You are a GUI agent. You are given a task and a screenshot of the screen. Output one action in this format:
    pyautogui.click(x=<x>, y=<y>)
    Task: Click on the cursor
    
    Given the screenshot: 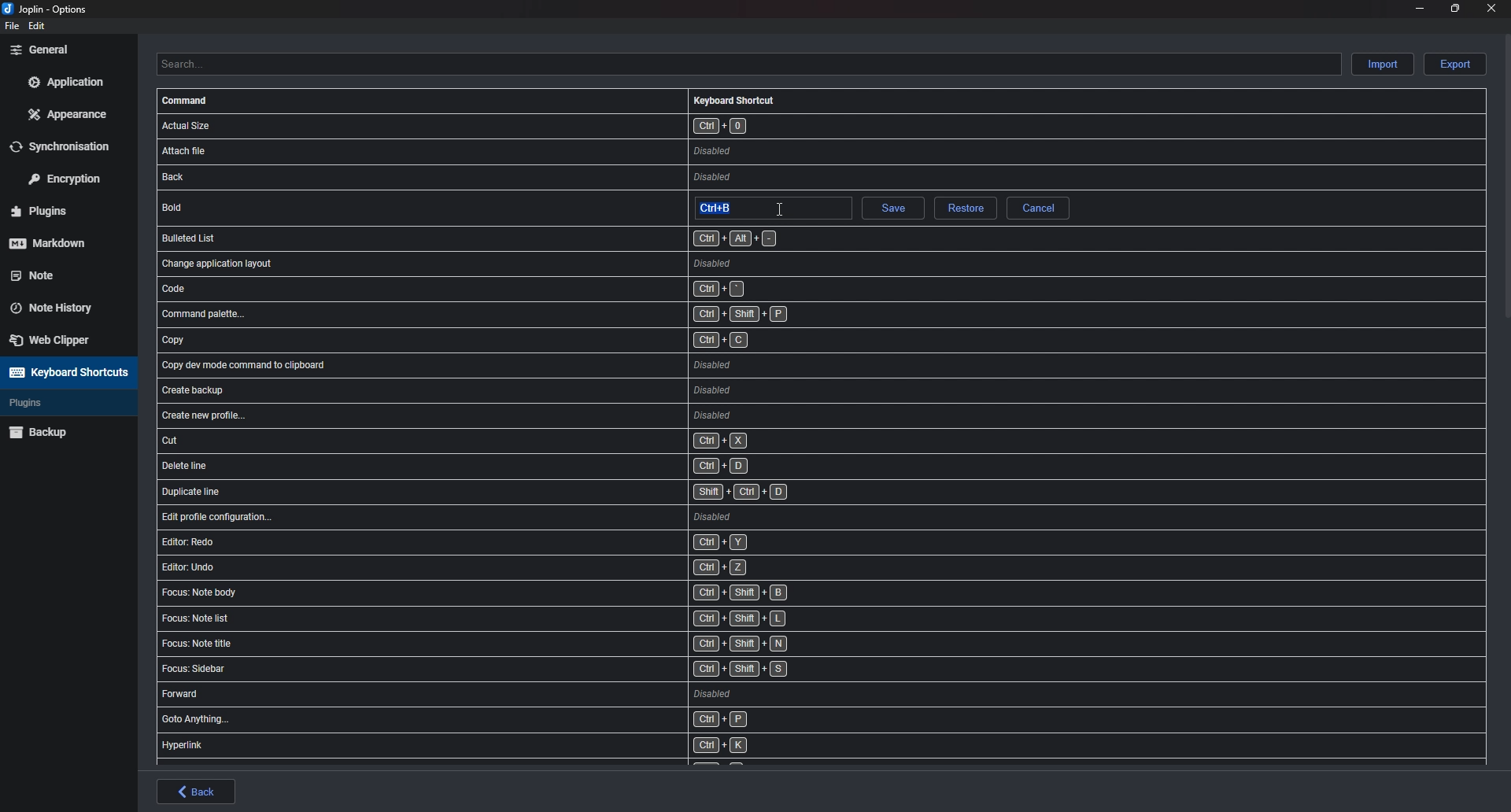 What is the action you would take?
    pyautogui.click(x=780, y=208)
    